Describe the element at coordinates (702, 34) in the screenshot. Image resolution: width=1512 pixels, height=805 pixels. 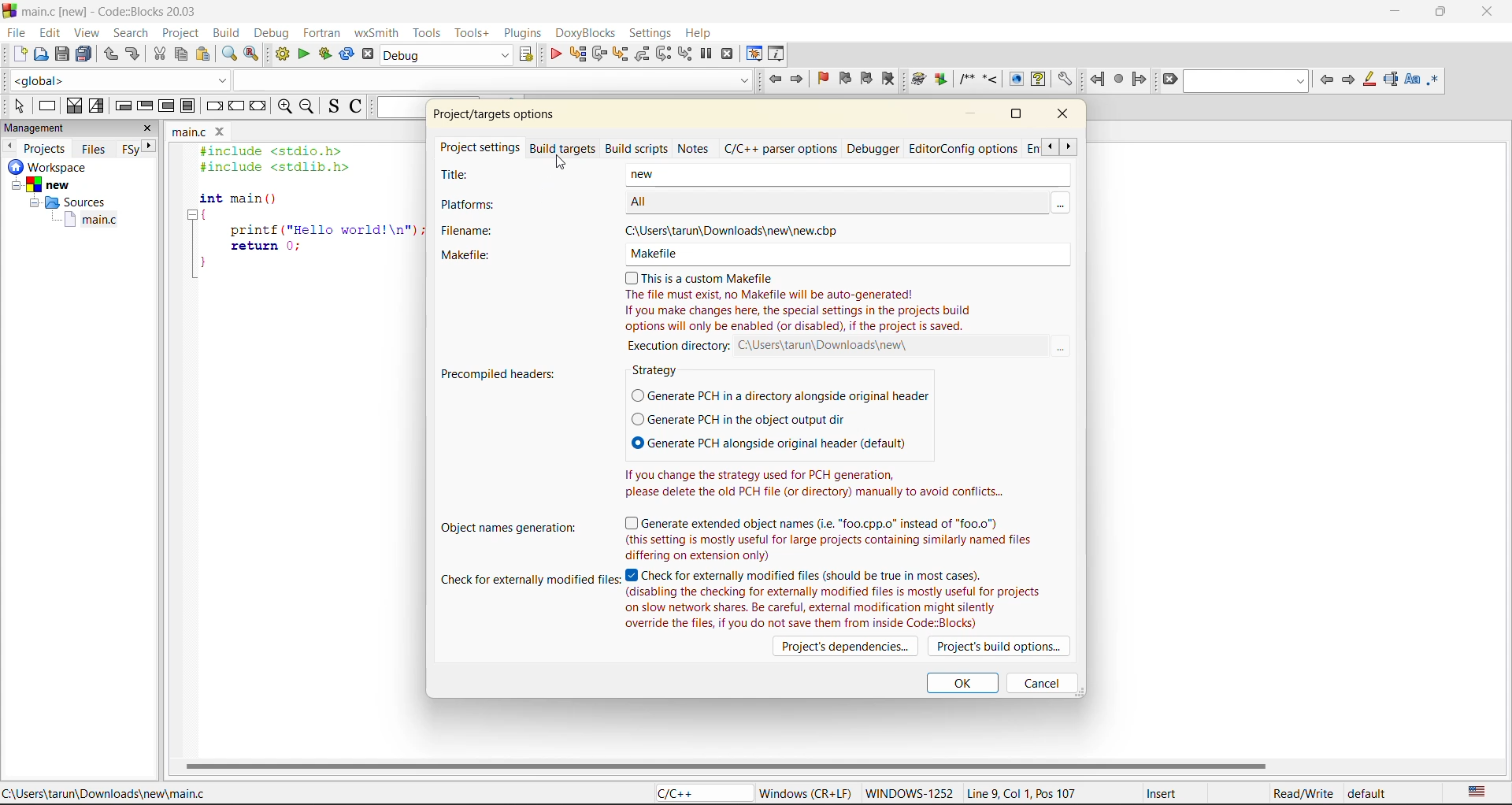
I see `help` at that location.